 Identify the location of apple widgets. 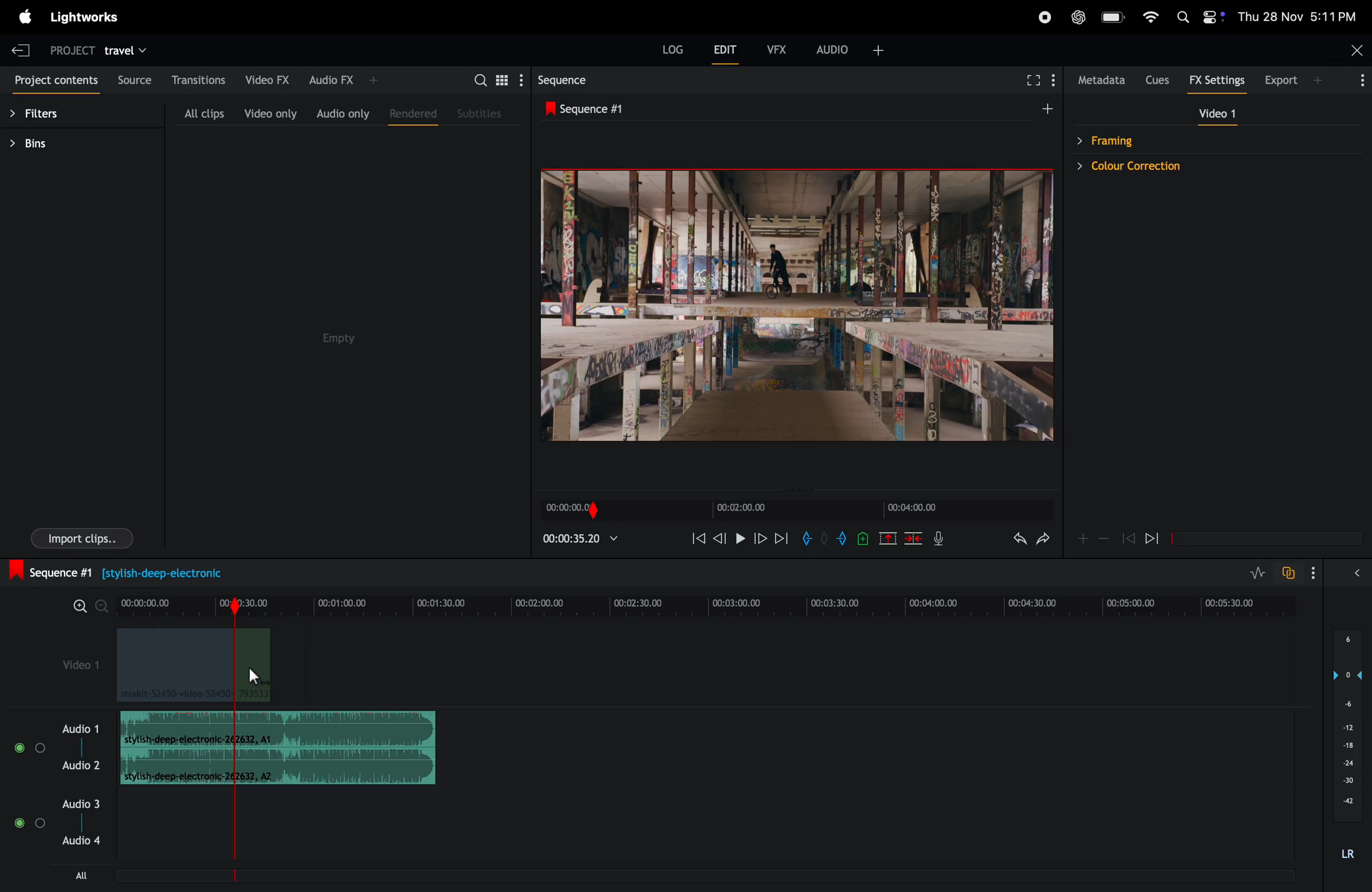
(1180, 16).